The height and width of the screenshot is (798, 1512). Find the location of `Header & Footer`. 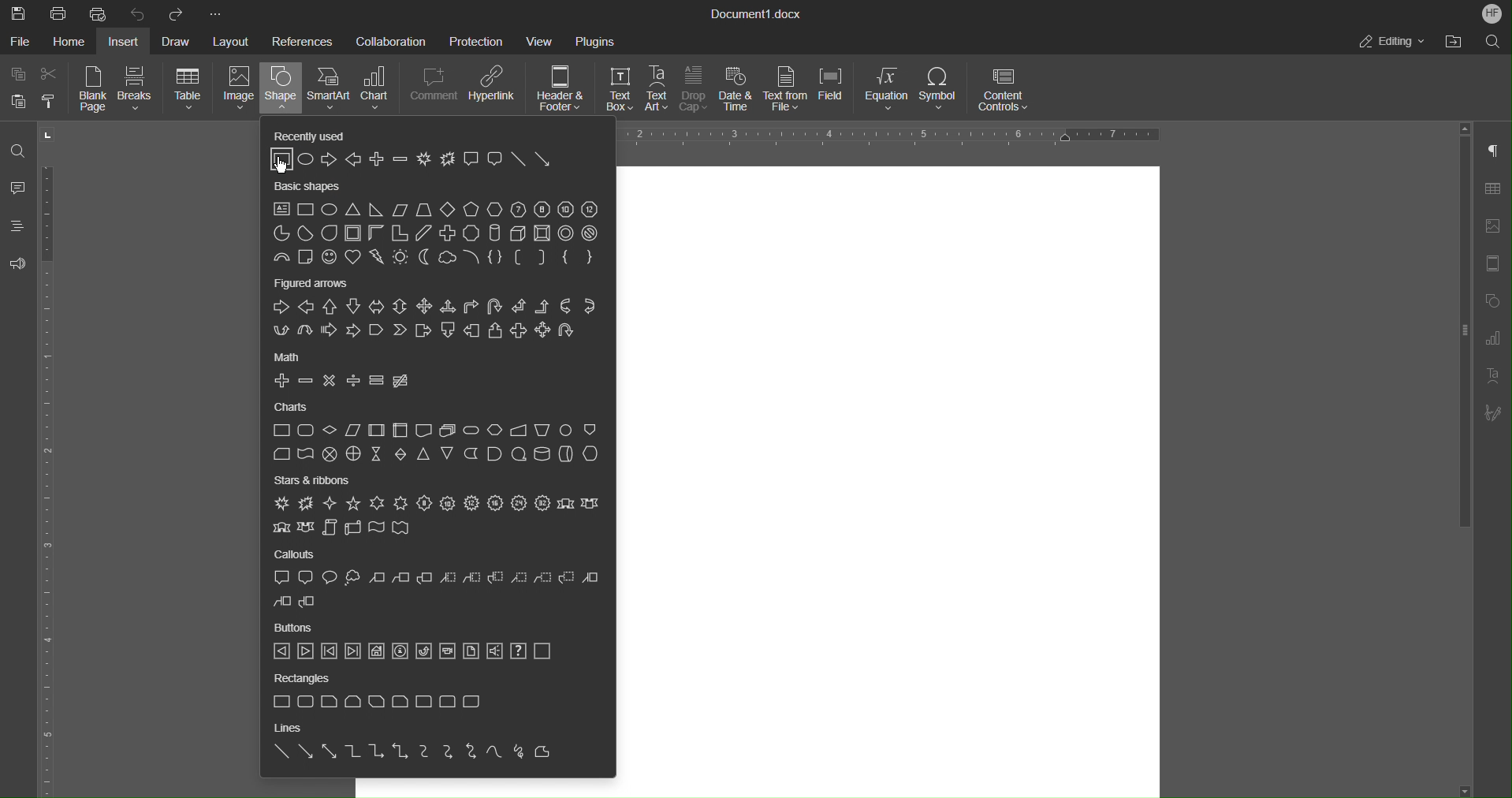

Header & Footer is located at coordinates (562, 91).